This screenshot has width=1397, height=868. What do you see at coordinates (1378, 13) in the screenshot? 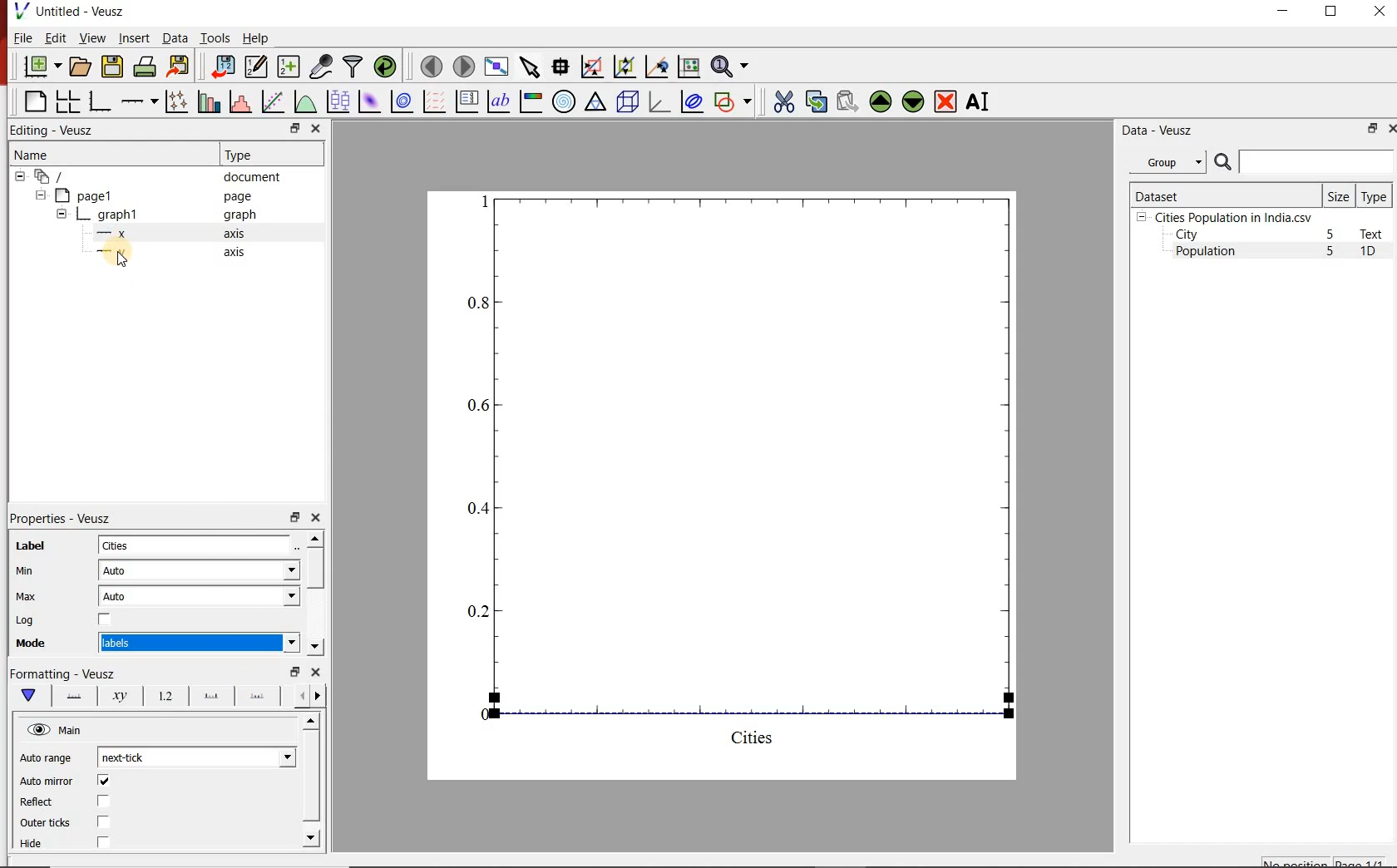
I see `CLOSE` at bounding box center [1378, 13].